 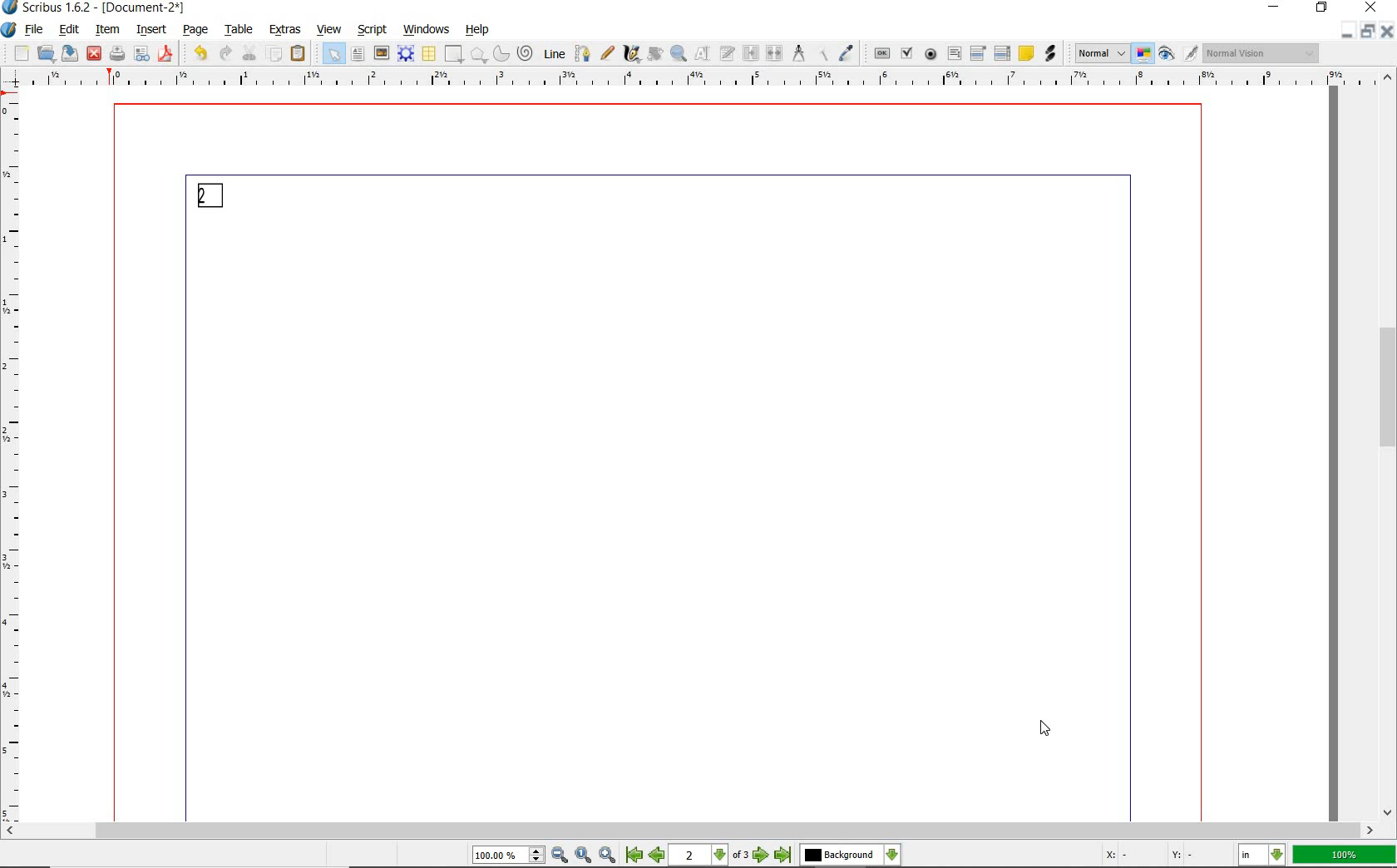 What do you see at coordinates (633, 54) in the screenshot?
I see `calligraphic line` at bounding box center [633, 54].